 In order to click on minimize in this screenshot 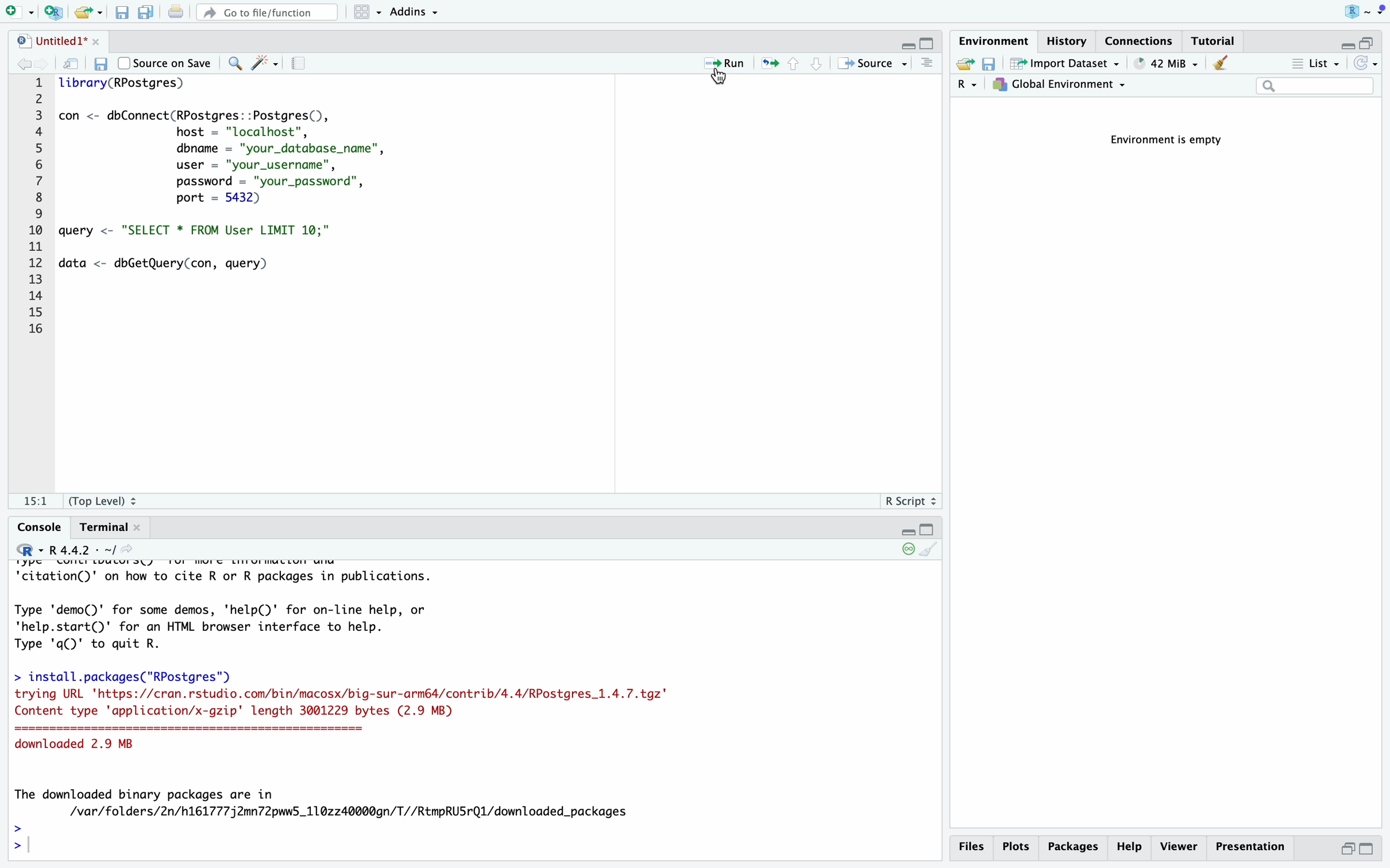, I will do `click(898, 40)`.